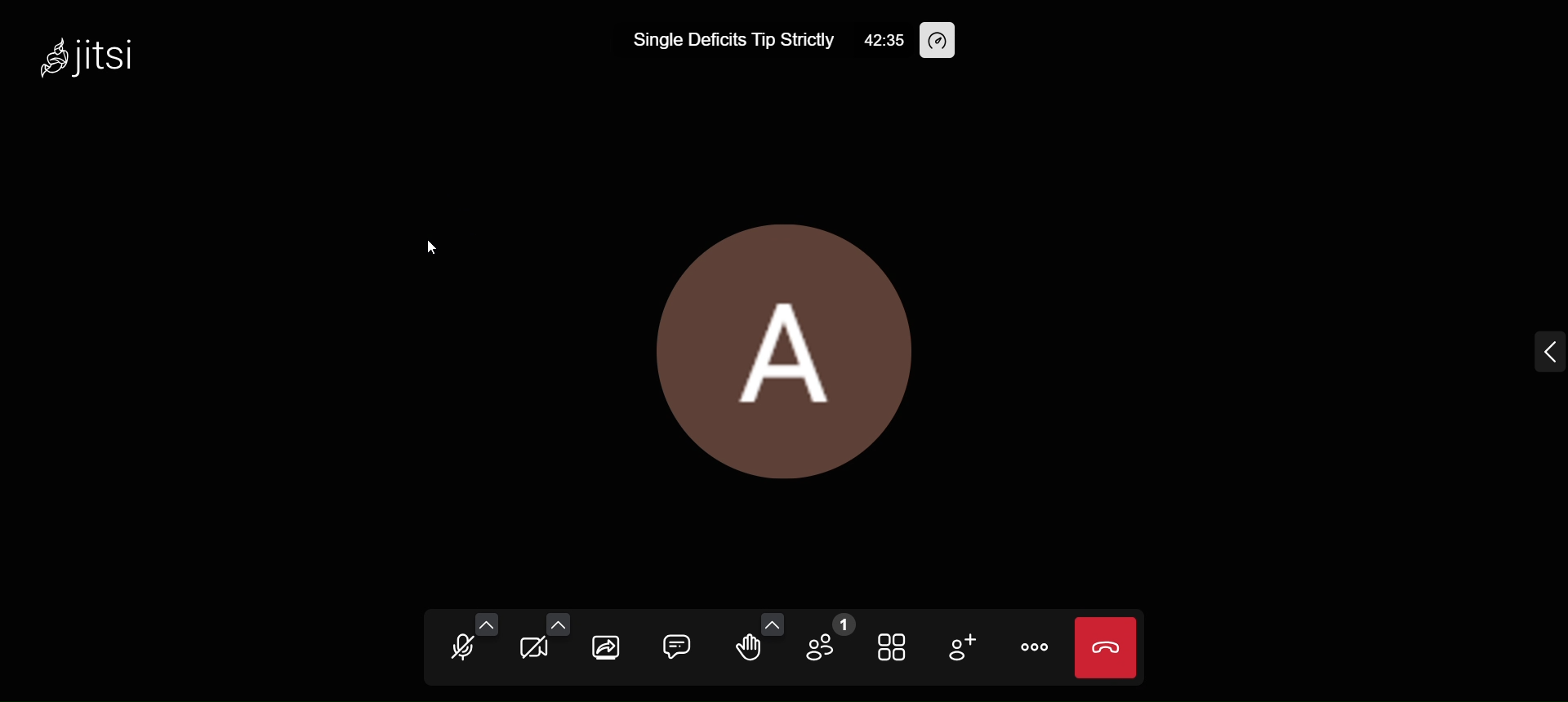 This screenshot has height=702, width=1568. Describe the element at coordinates (604, 646) in the screenshot. I see `Share screen` at that location.